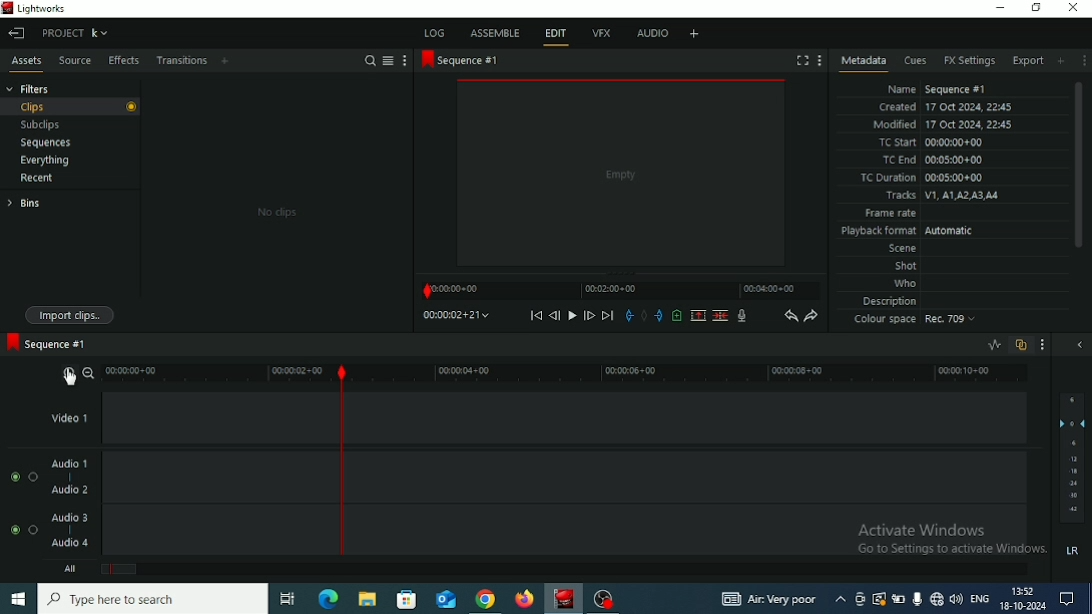 The height and width of the screenshot is (614, 1092). What do you see at coordinates (627, 317) in the screenshot?
I see `Add an 'in' mark at the current position` at bounding box center [627, 317].